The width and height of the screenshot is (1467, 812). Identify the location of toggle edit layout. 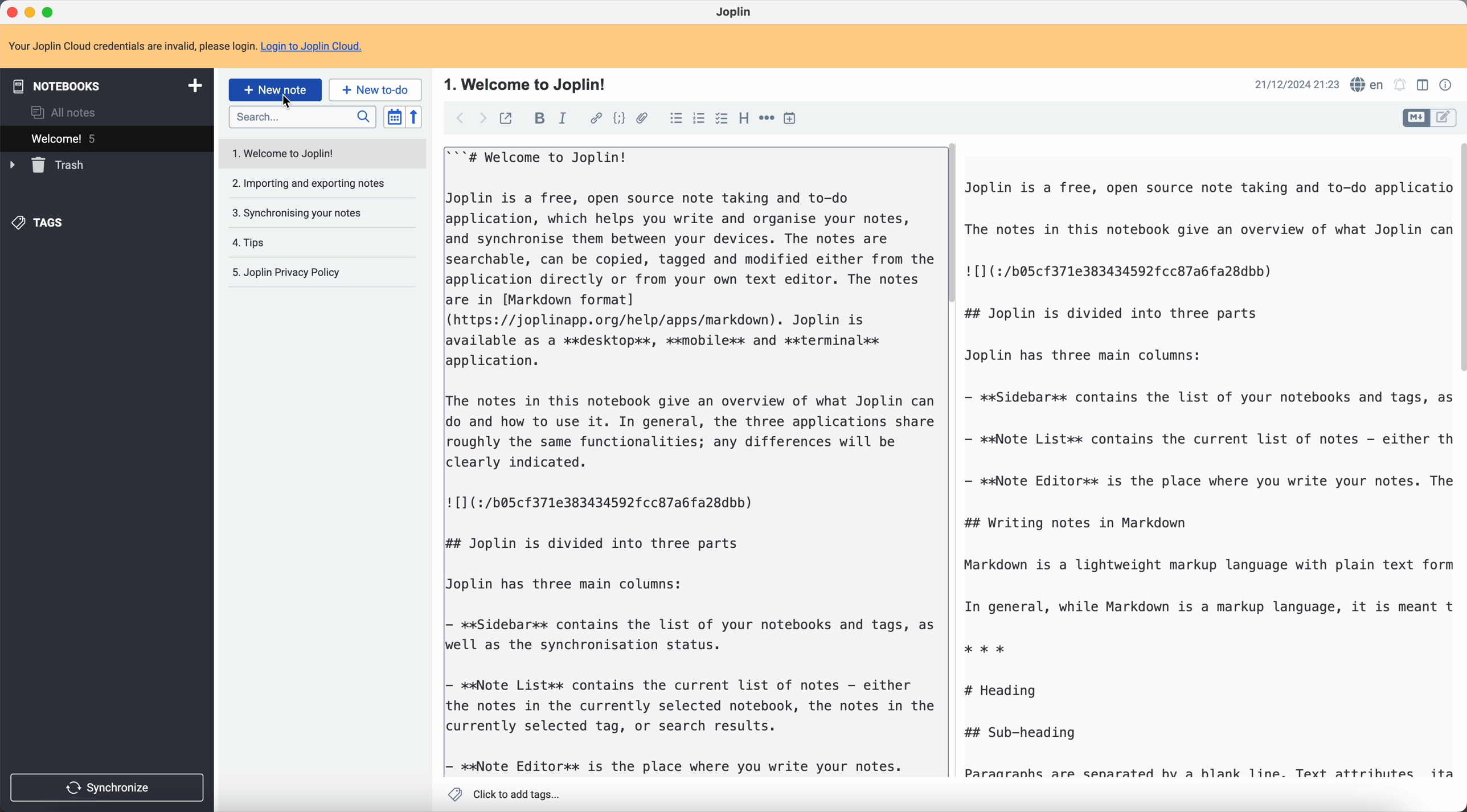
(1417, 118).